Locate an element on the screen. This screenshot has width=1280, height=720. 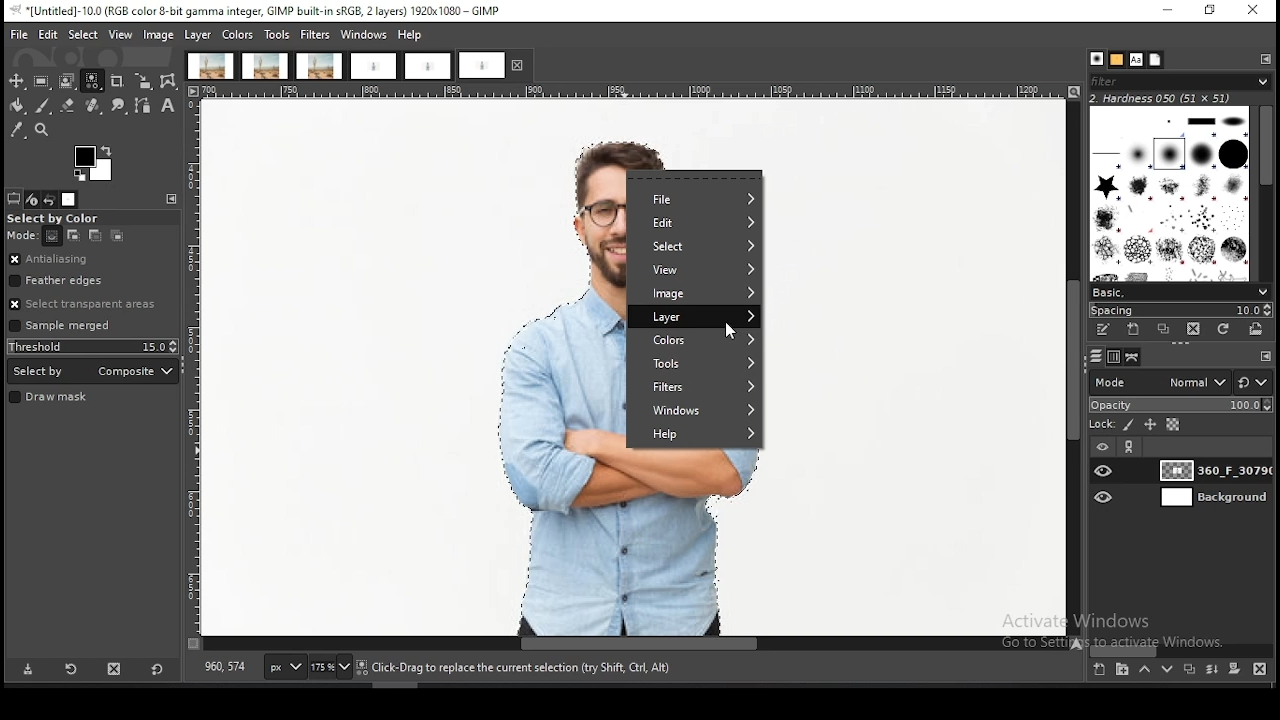
rectangle select tool is located at coordinates (41, 81).